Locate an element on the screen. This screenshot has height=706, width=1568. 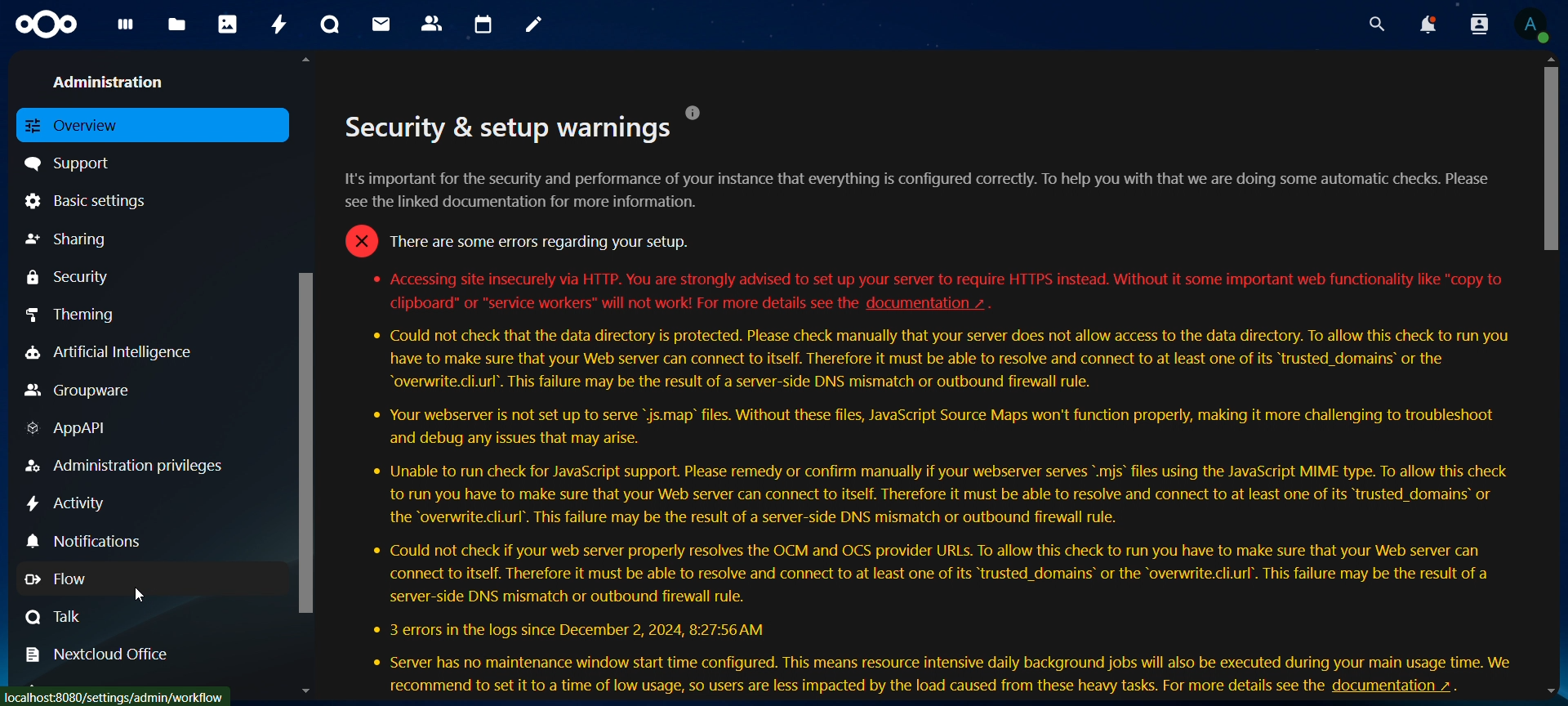
talk is located at coordinates (56, 616).